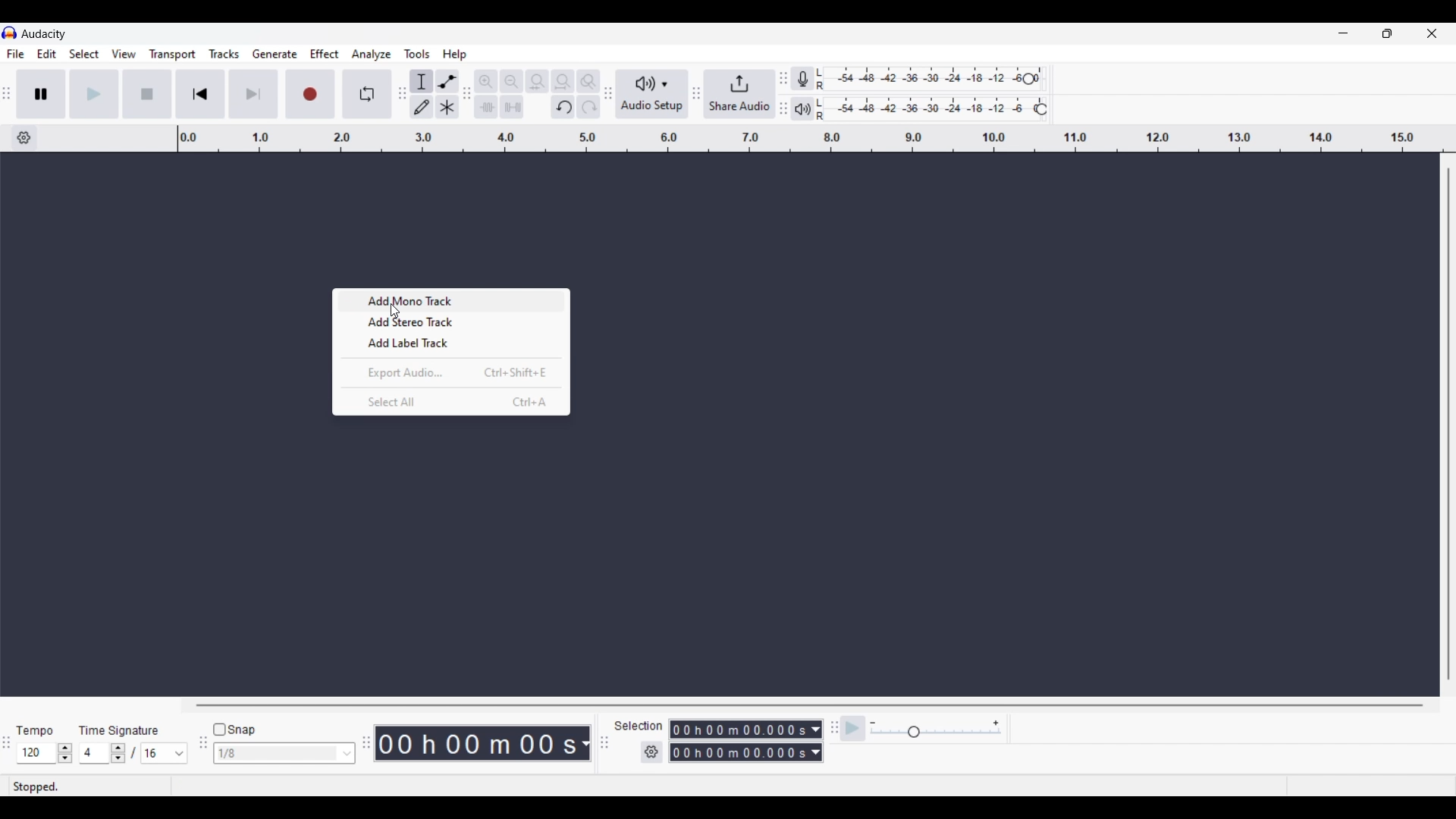 The width and height of the screenshot is (1456, 819). What do you see at coordinates (817, 139) in the screenshot?
I see `Scale to measure audio length` at bounding box center [817, 139].